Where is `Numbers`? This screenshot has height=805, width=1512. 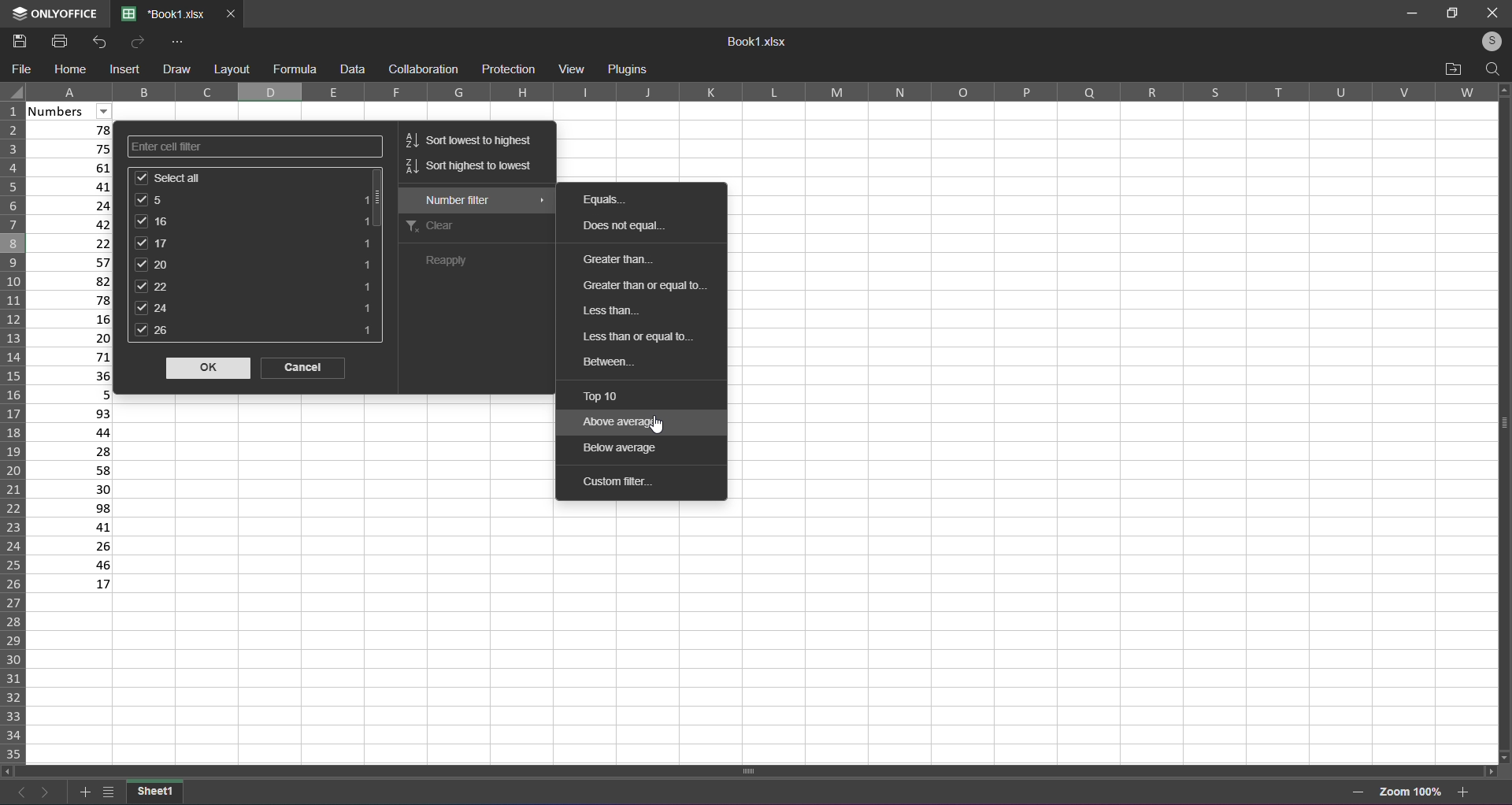
Numbers is located at coordinates (71, 111).